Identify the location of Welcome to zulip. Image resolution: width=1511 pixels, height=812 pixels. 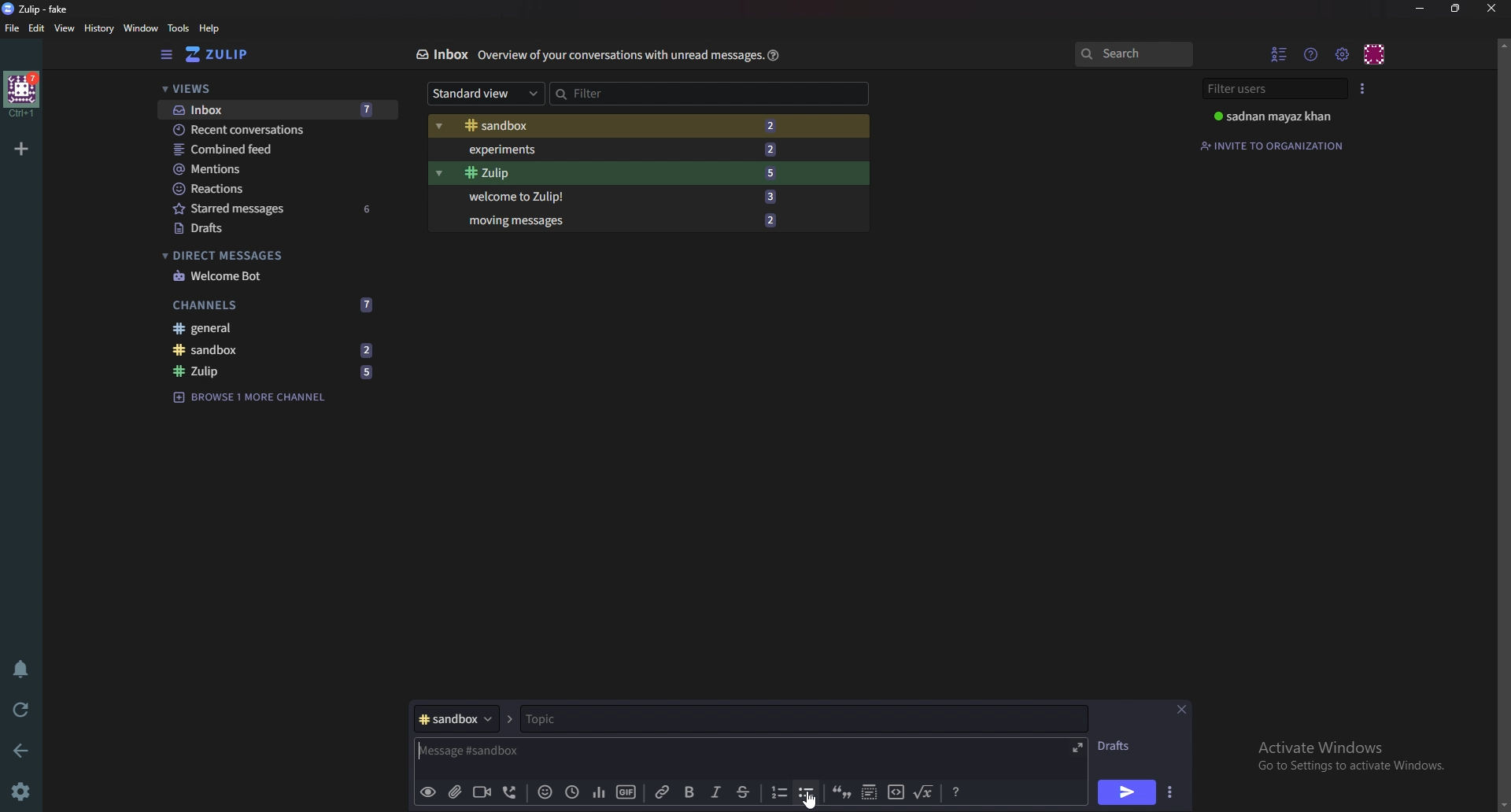
(618, 195).